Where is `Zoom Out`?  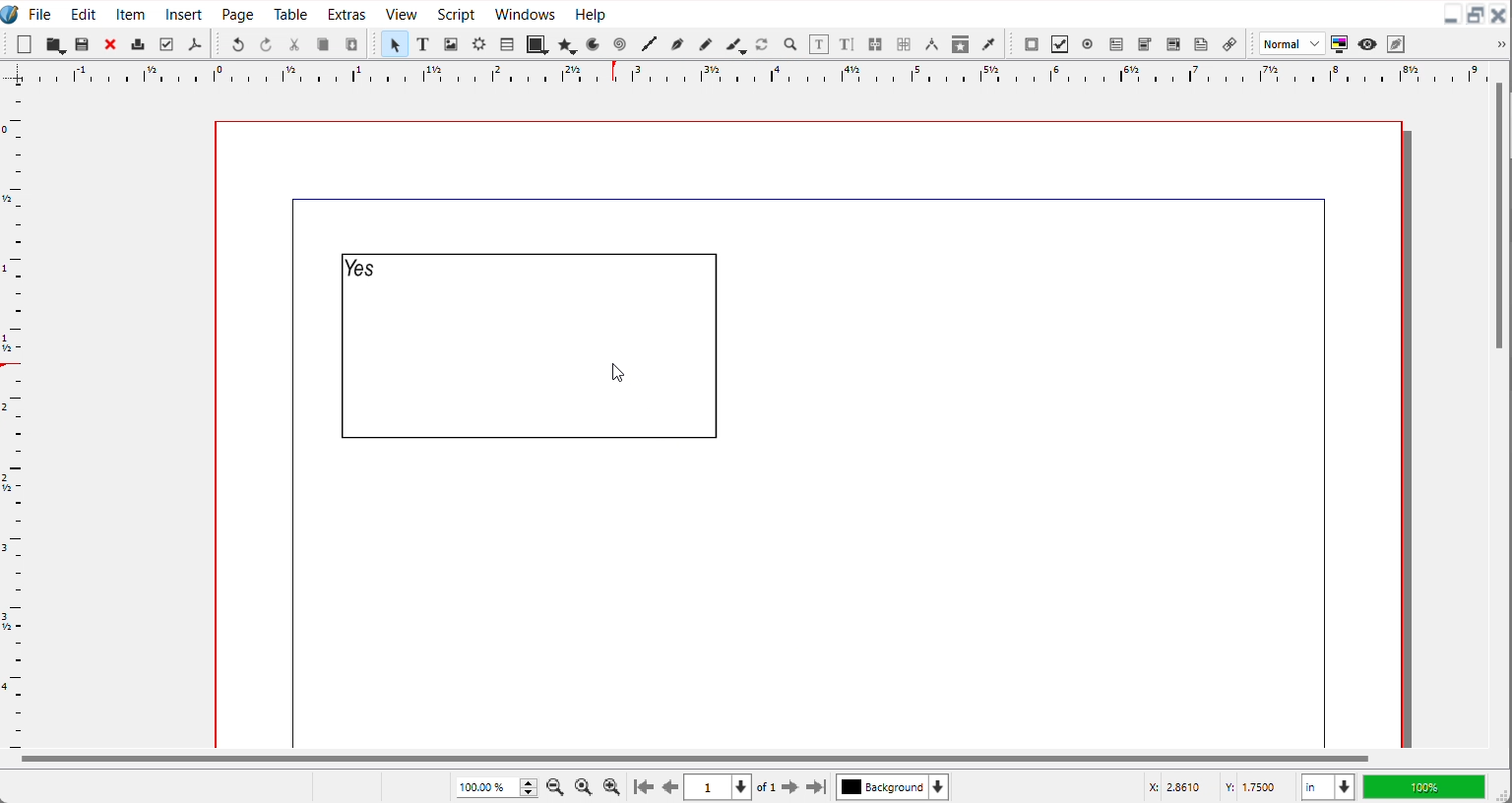
Zoom Out is located at coordinates (557, 785).